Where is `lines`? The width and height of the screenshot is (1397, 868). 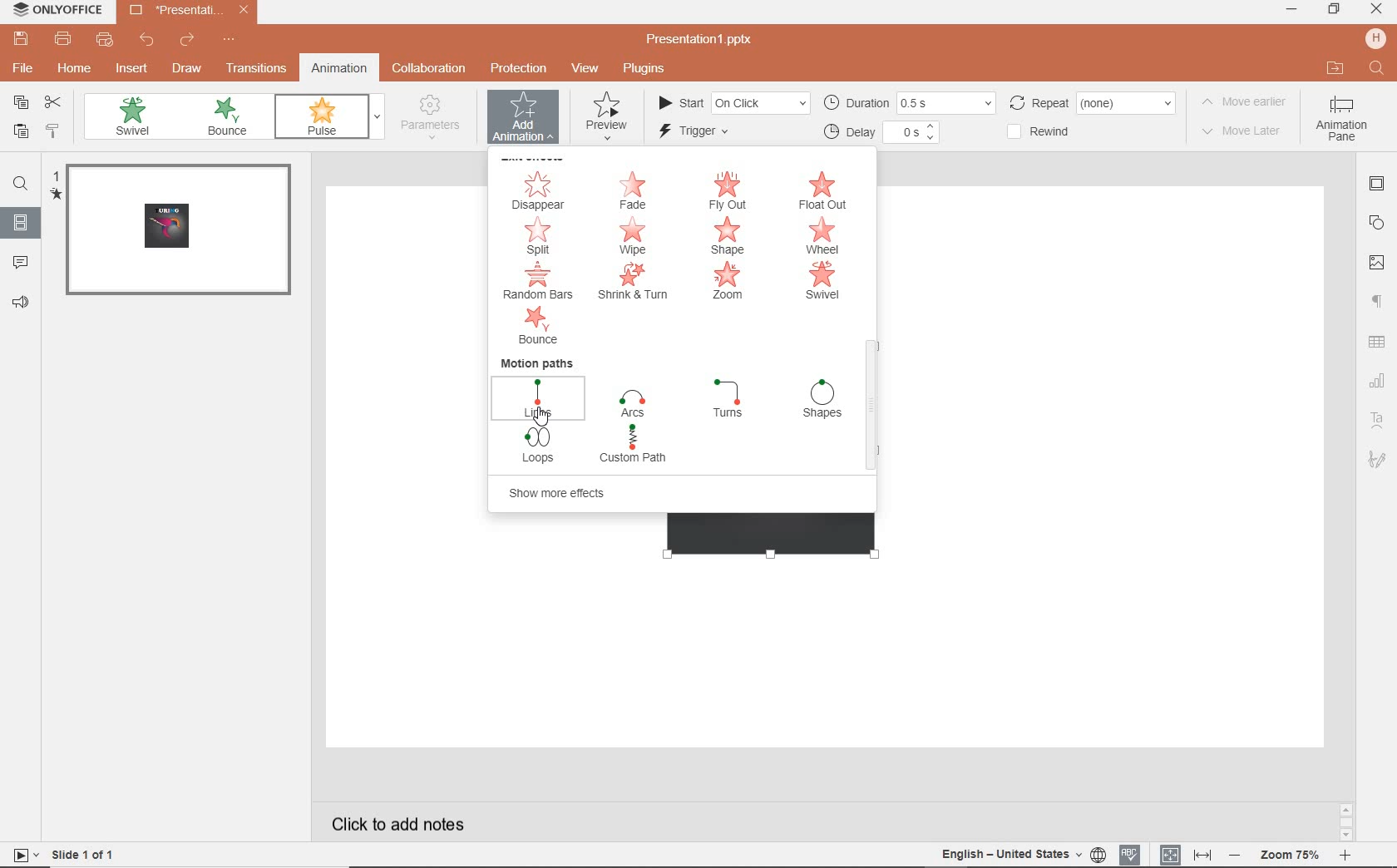
lines is located at coordinates (539, 397).